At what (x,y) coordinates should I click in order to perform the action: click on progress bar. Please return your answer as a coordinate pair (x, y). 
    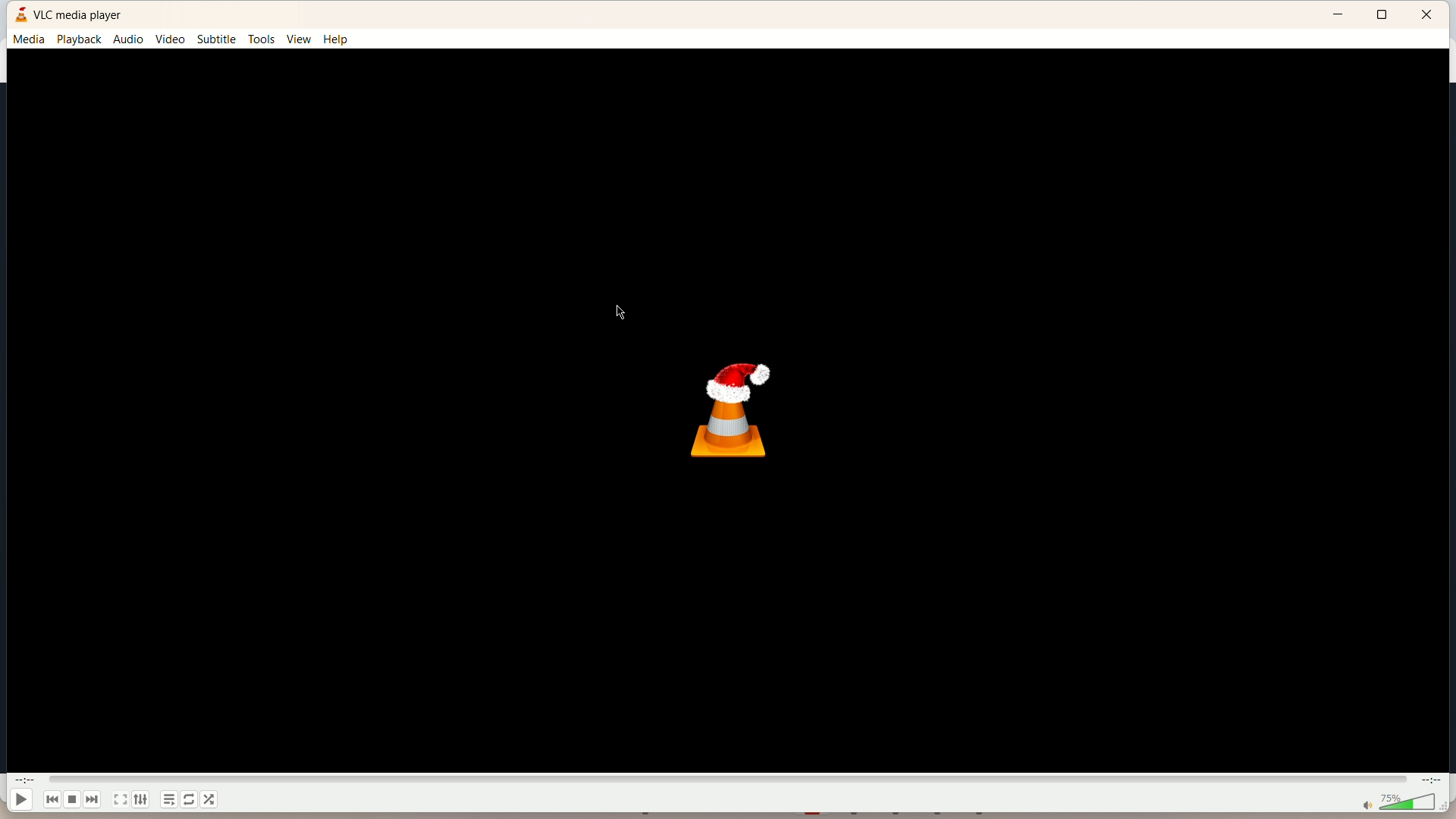
    Looking at the image, I should click on (730, 781).